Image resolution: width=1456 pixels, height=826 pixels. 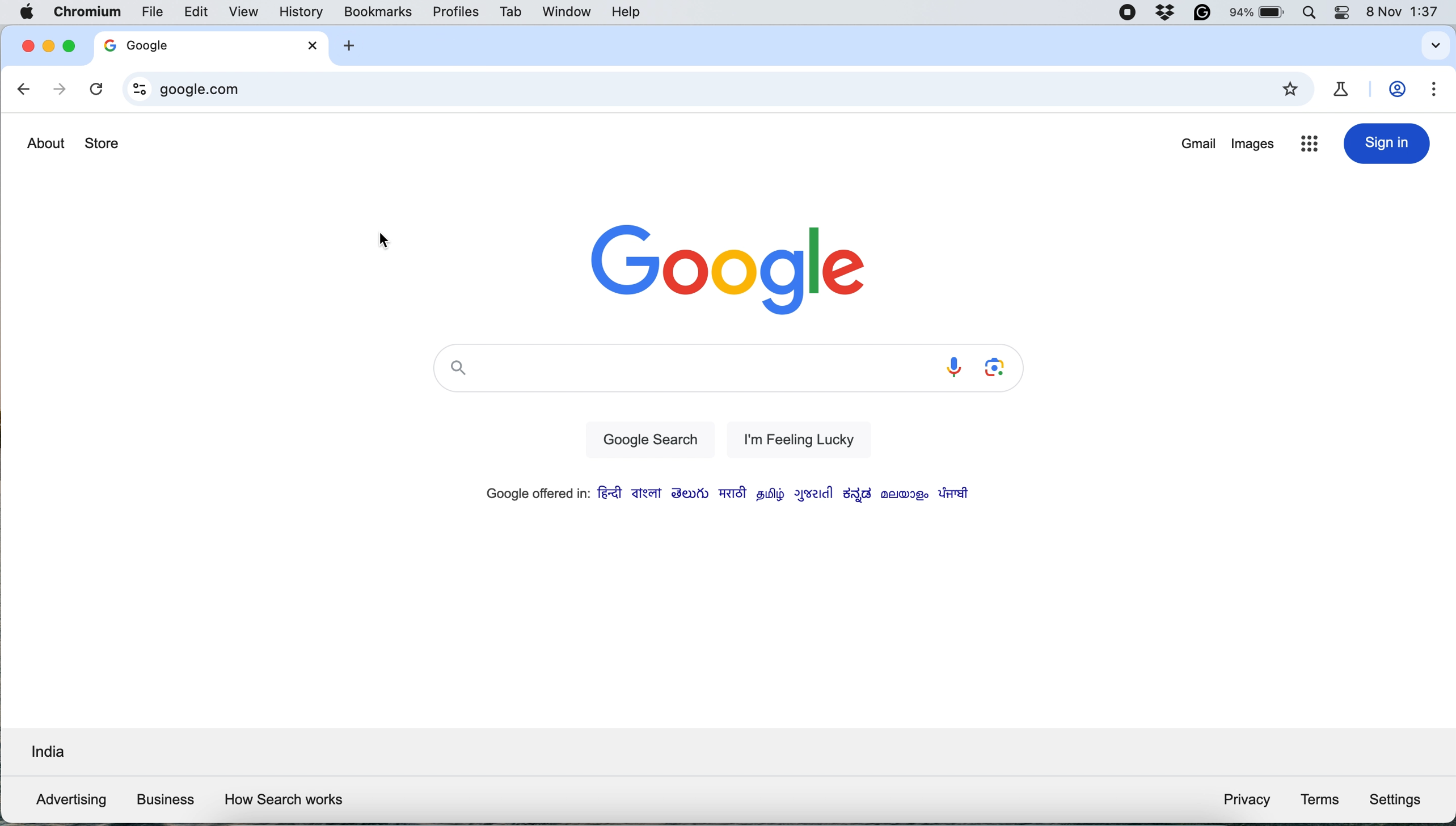 What do you see at coordinates (58, 90) in the screenshot?
I see `go forward` at bounding box center [58, 90].